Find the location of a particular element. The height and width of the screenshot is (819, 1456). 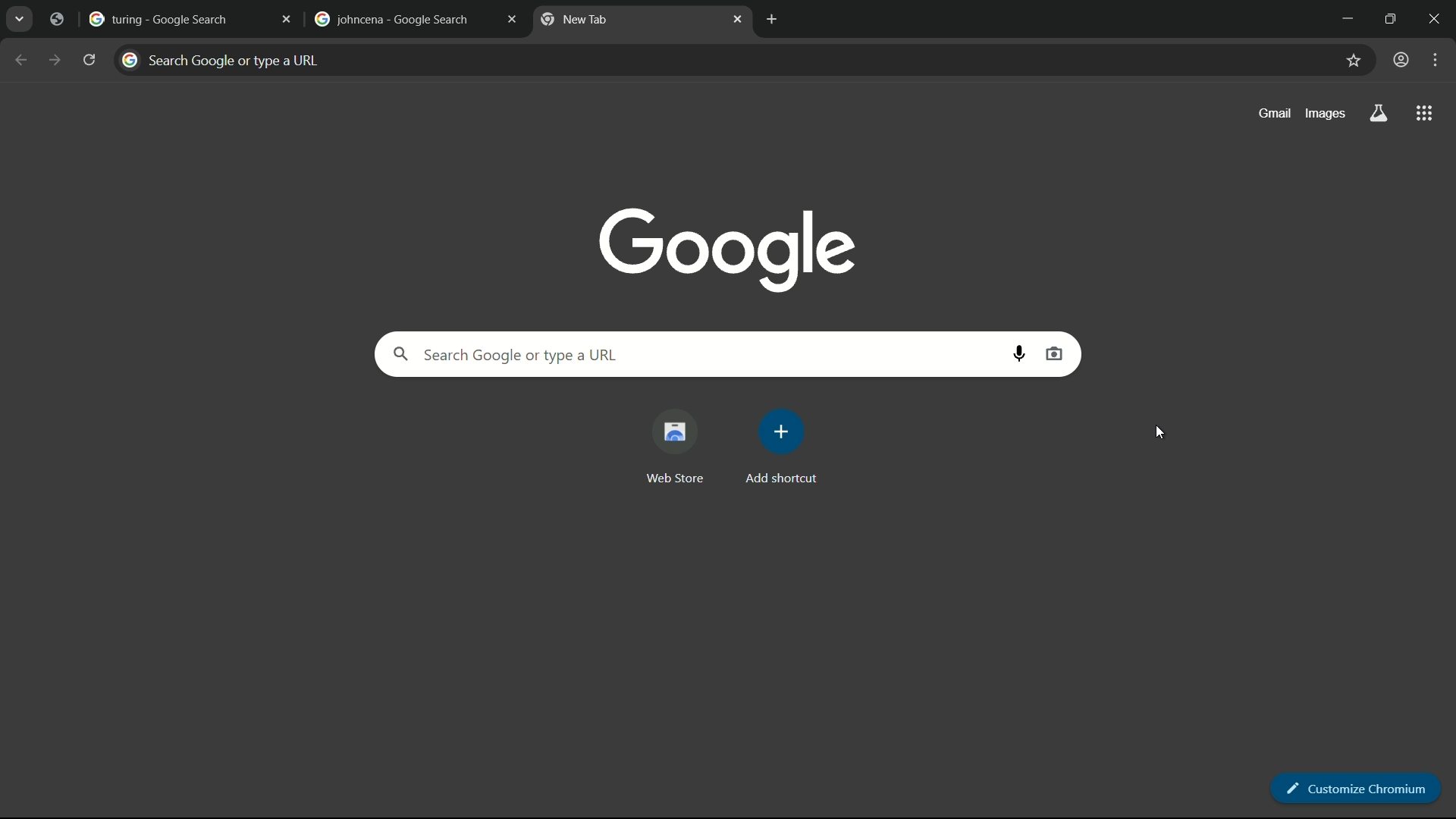

add more shortcut is located at coordinates (782, 448).